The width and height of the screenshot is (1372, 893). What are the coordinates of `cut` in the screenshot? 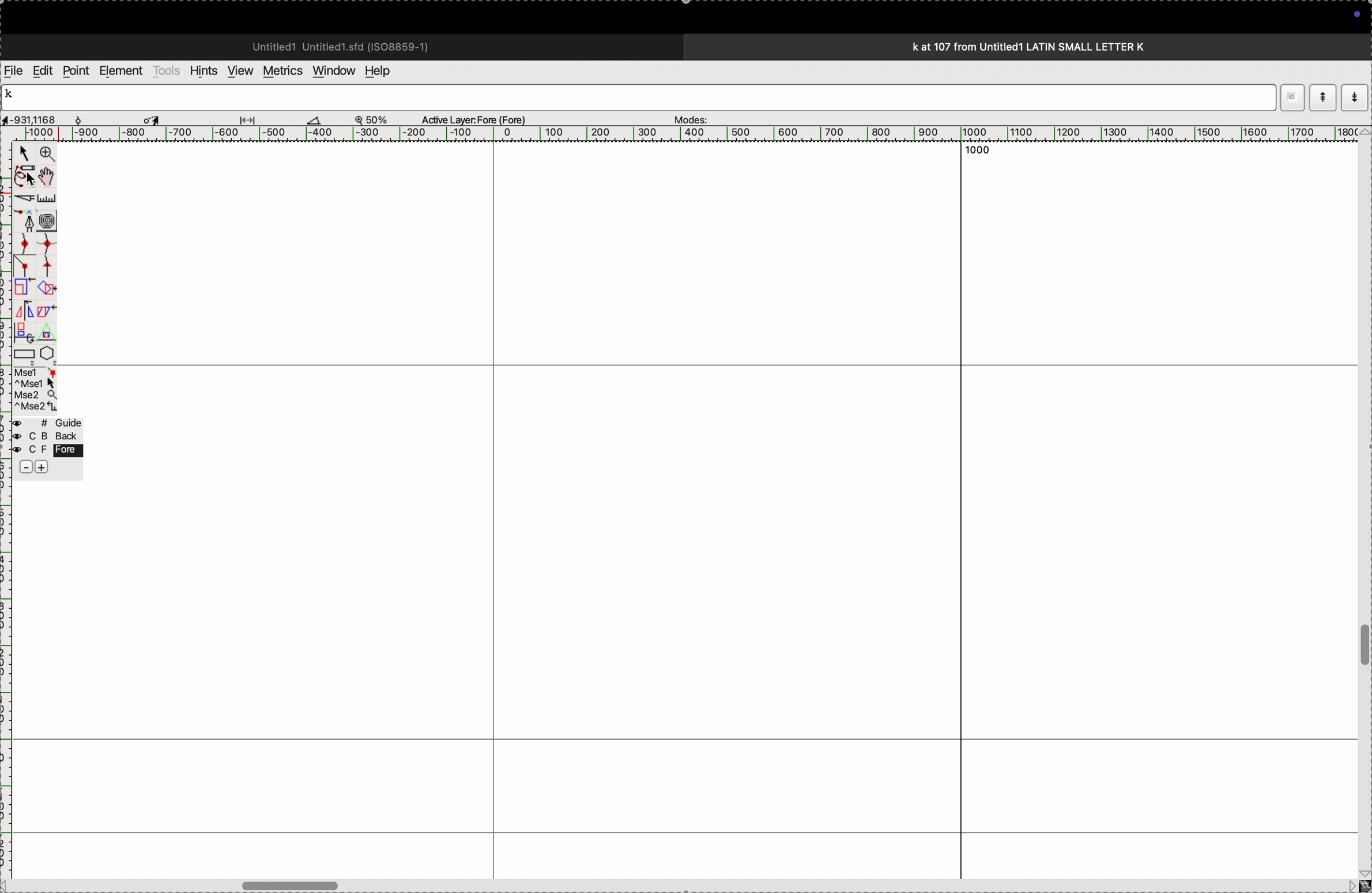 It's located at (314, 119).